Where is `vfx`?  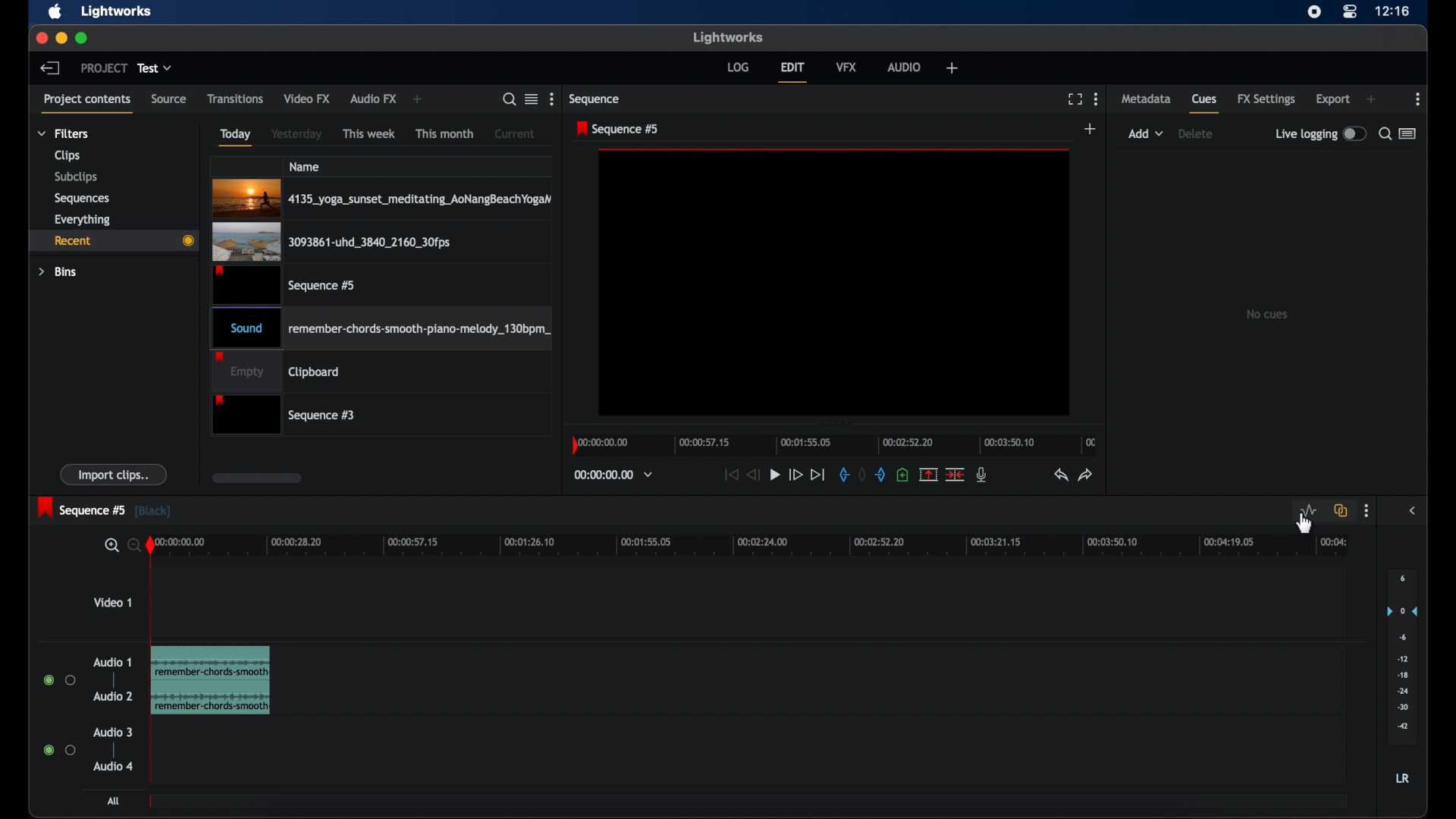
vfx is located at coordinates (846, 66).